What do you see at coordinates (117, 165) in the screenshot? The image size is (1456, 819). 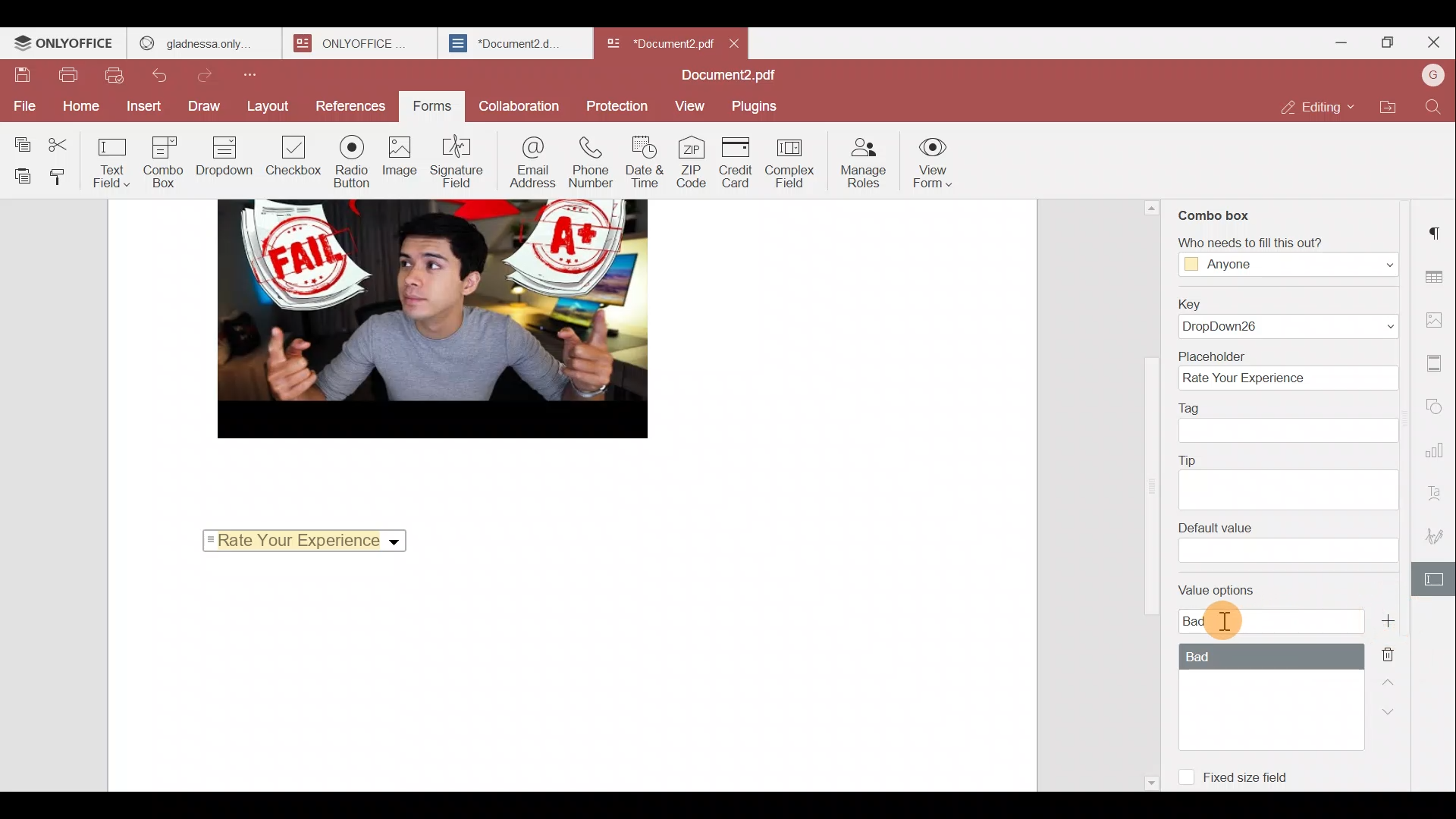 I see `Text field` at bounding box center [117, 165].